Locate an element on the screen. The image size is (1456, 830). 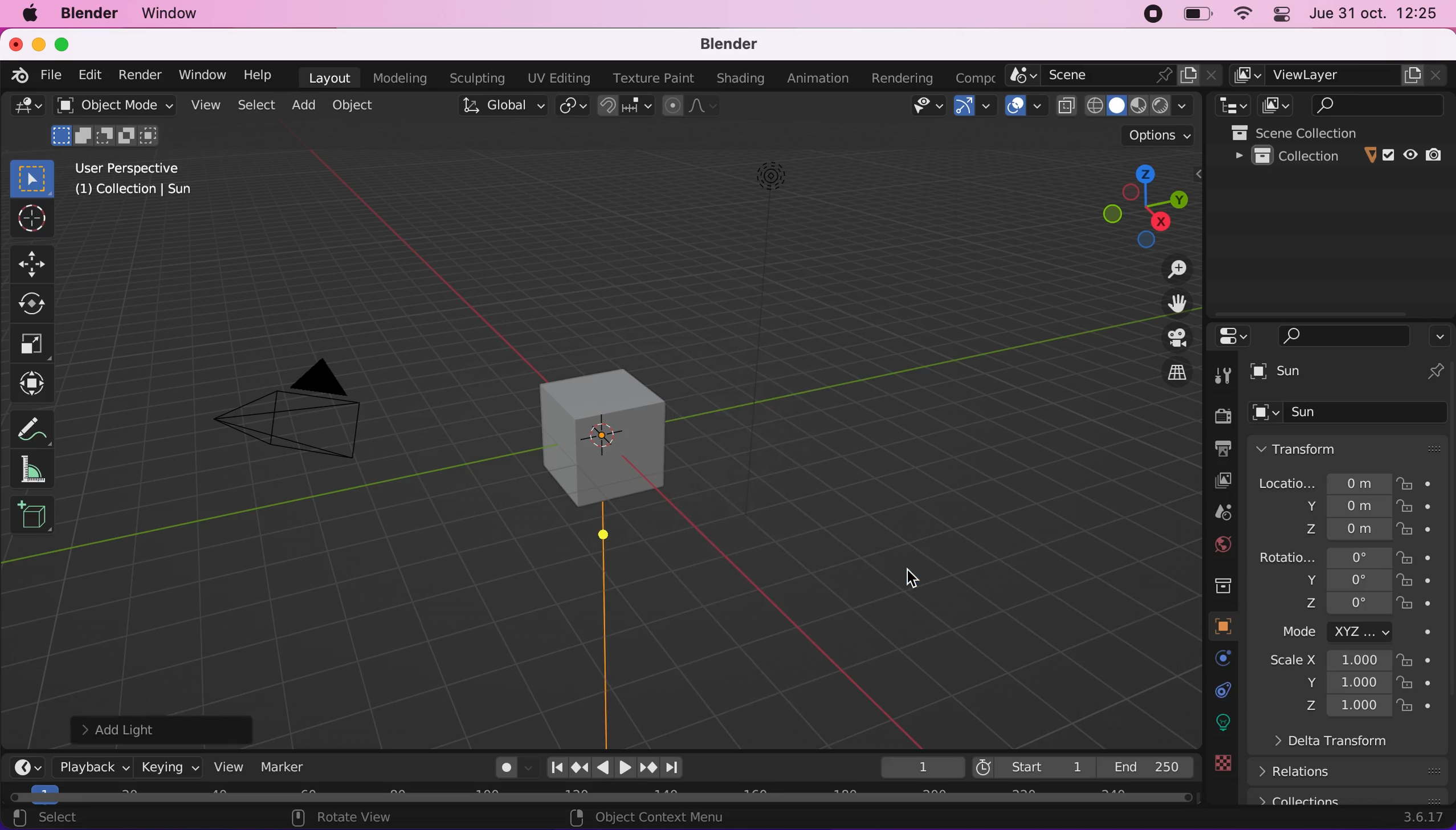
view is located at coordinates (206, 105).